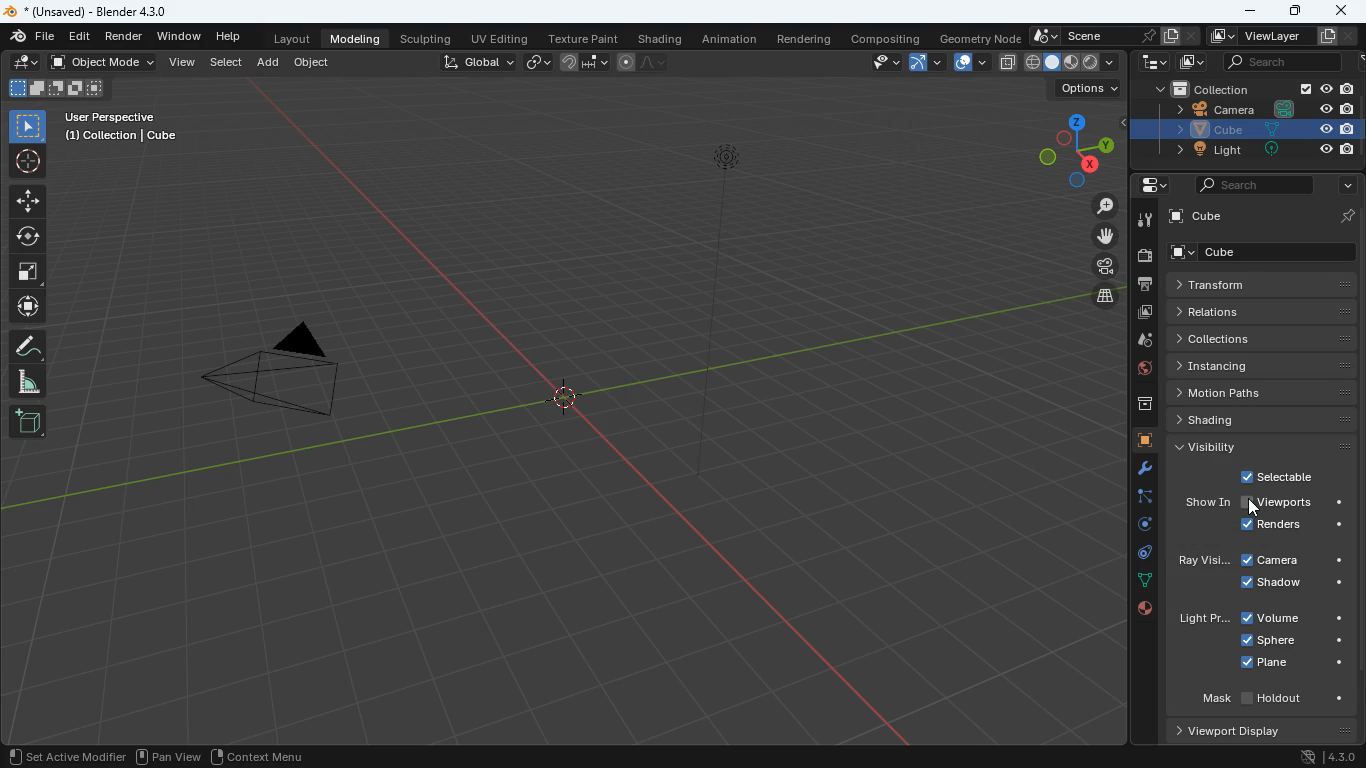  Describe the element at coordinates (28, 201) in the screenshot. I see `aim` at that location.